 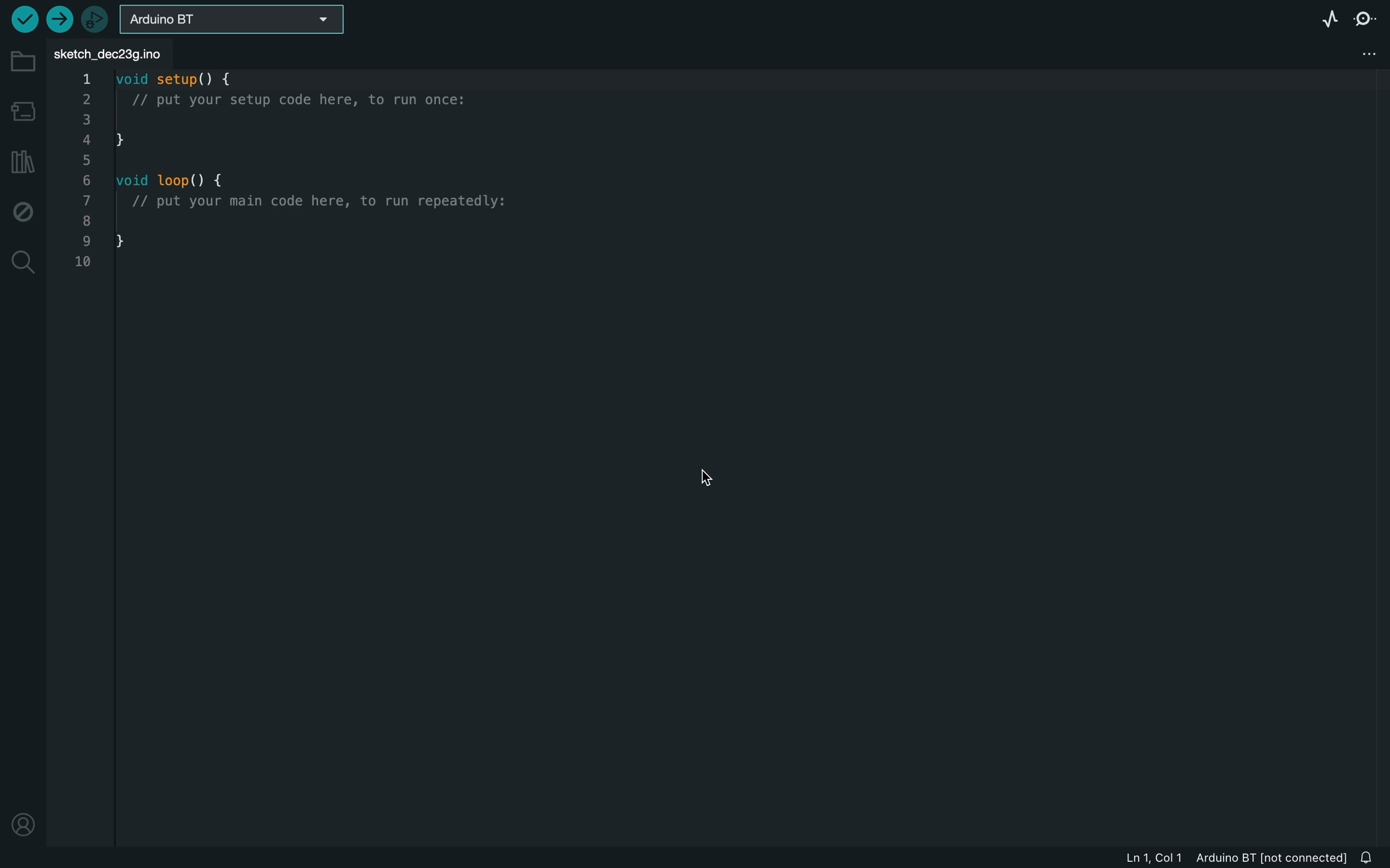 I want to click on board manager, so click(x=25, y=114).